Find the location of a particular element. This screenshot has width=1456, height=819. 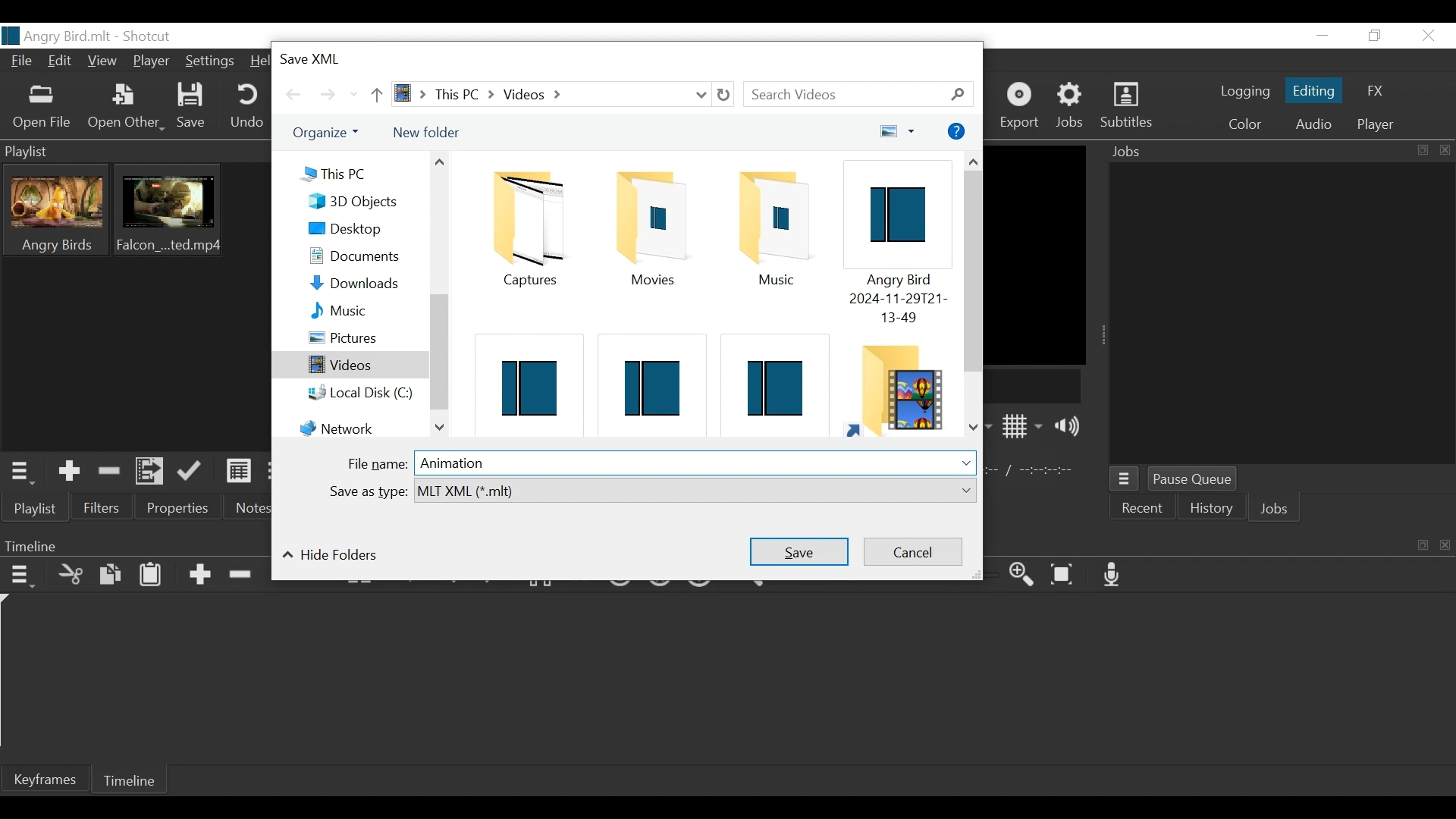

Folder is located at coordinates (648, 228).